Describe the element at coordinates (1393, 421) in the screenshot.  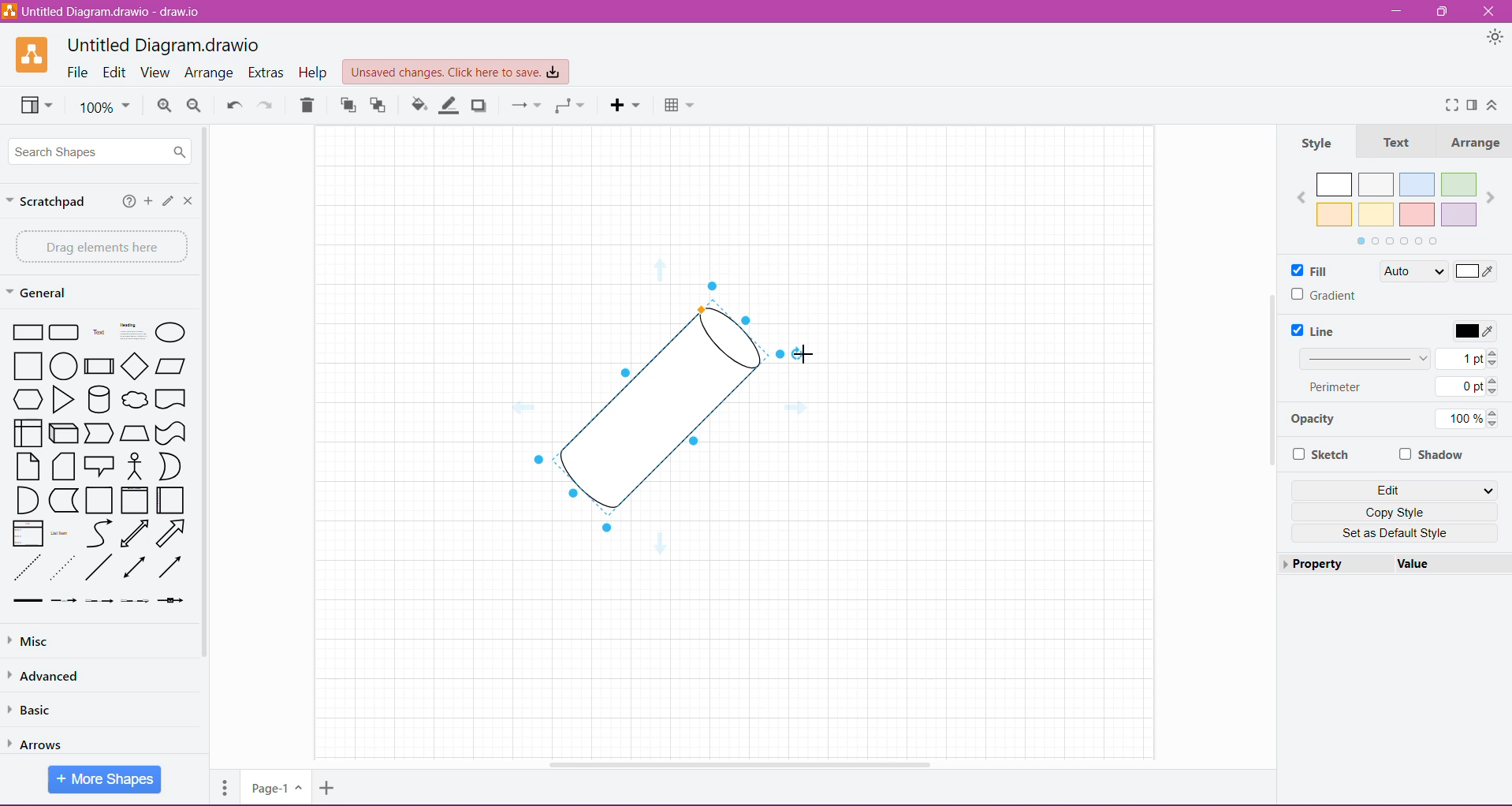
I see `Set Line Opacity` at that location.